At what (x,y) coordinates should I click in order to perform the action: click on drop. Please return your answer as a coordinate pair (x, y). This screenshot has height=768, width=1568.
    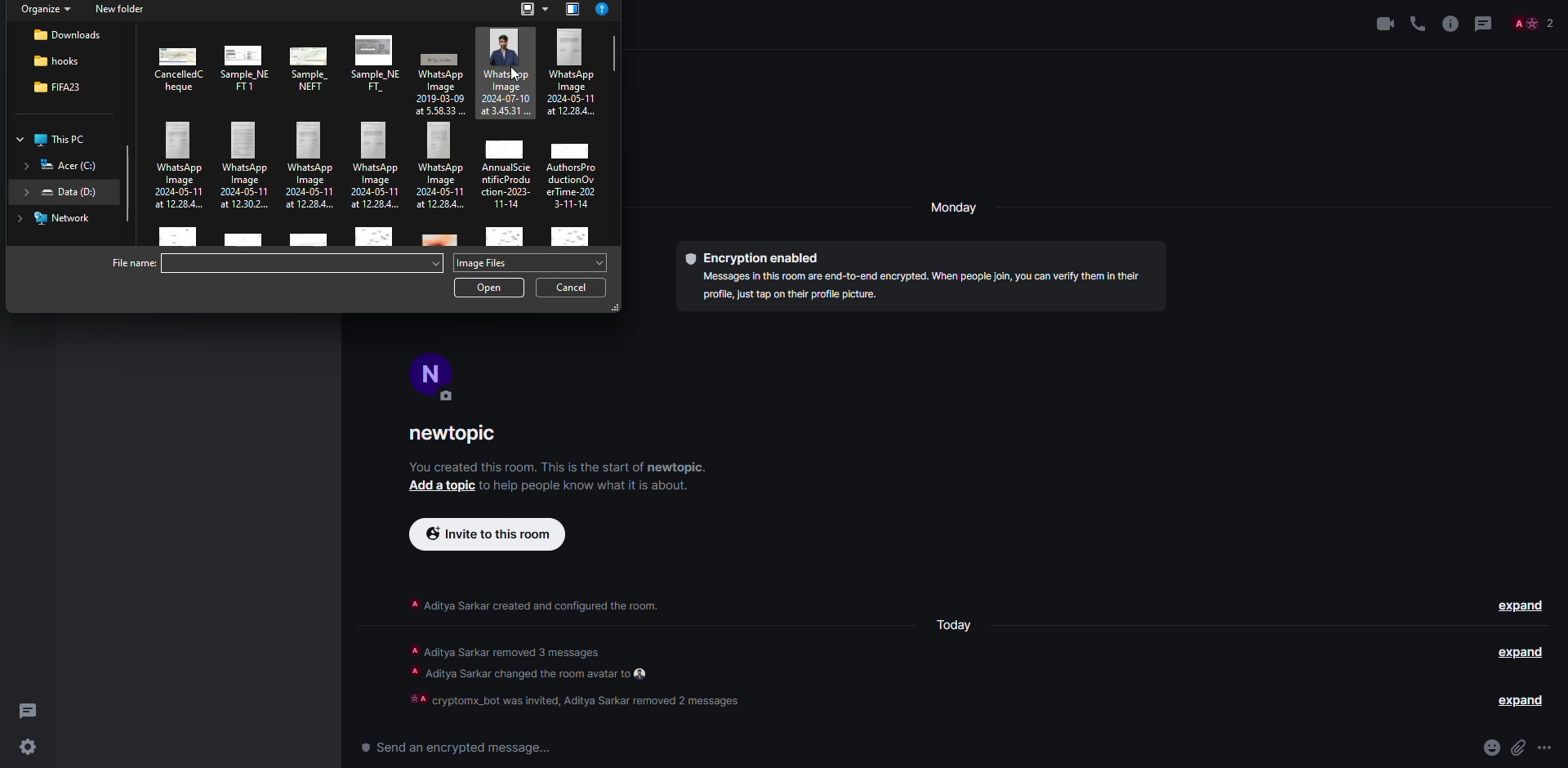
    Looking at the image, I should click on (600, 262).